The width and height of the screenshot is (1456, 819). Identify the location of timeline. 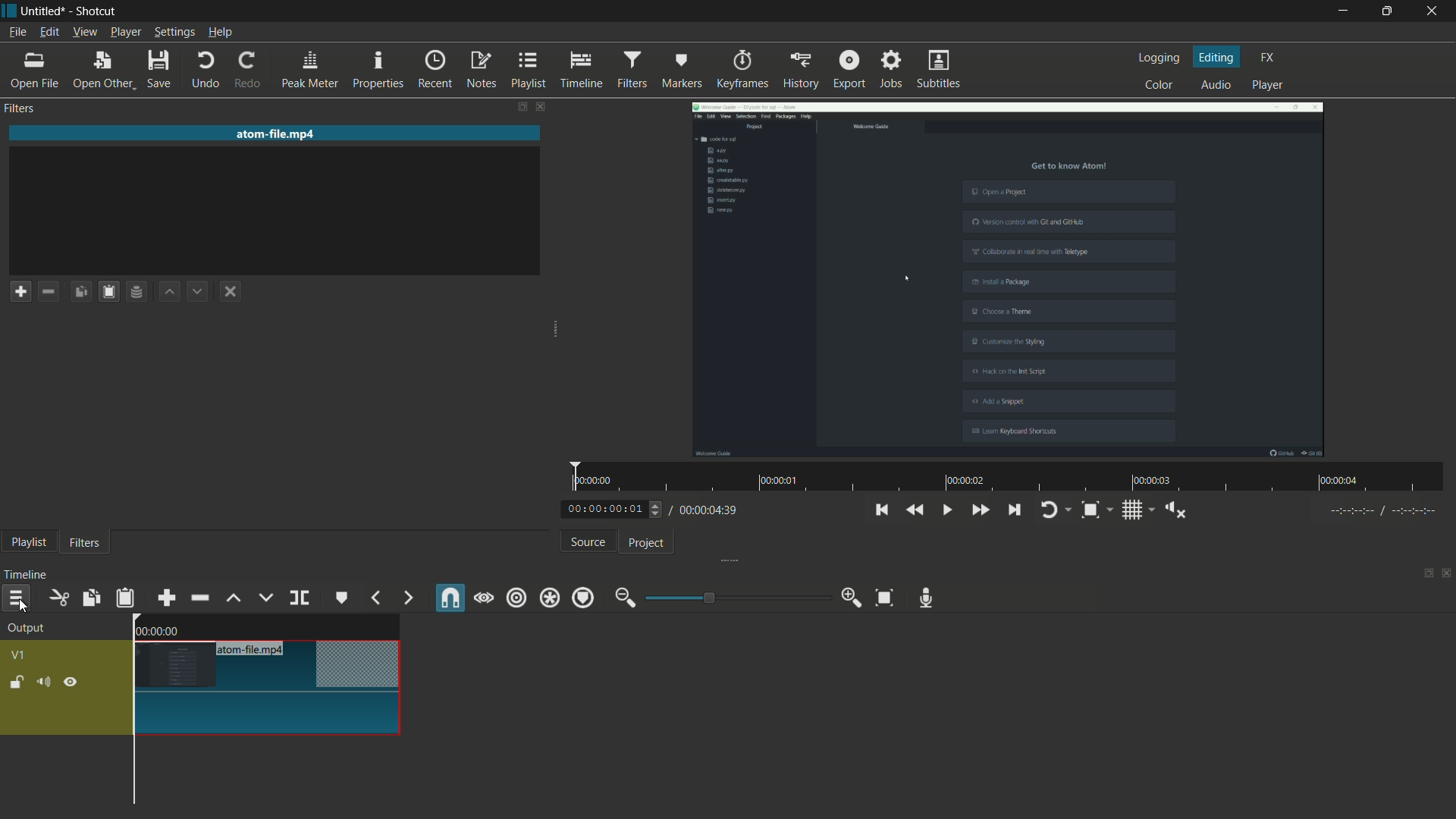
(25, 574).